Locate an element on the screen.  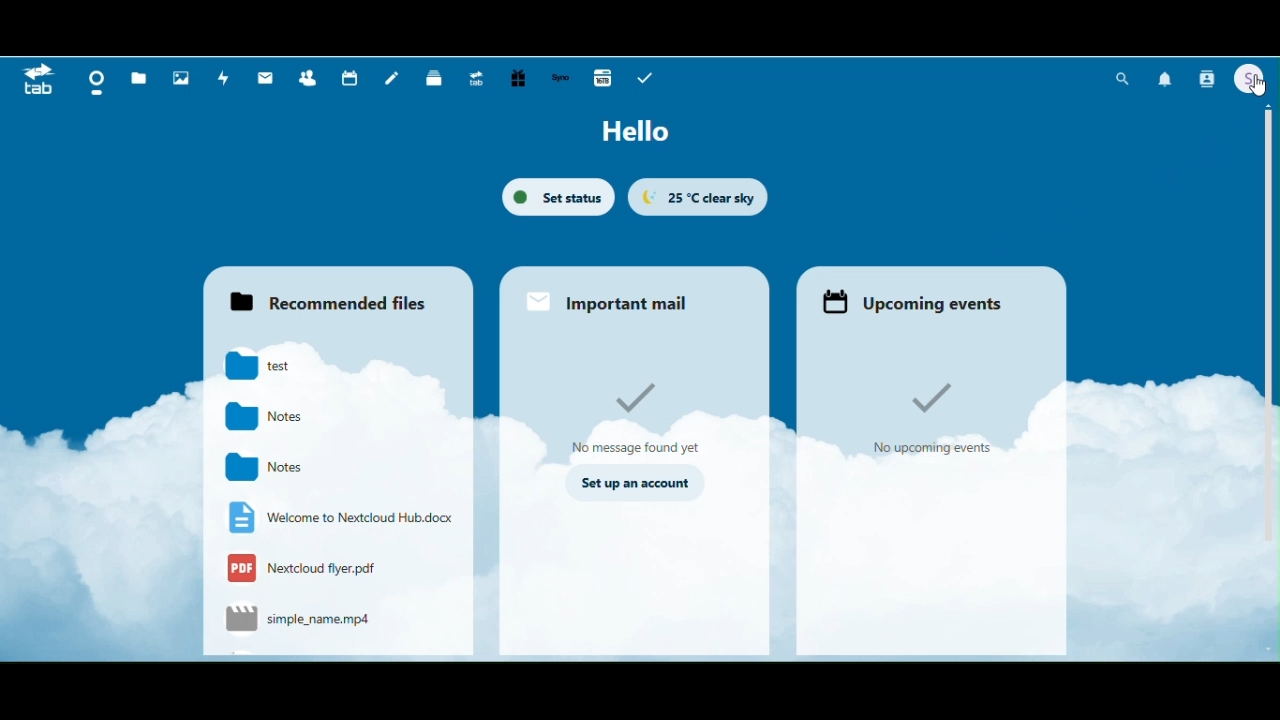
Dashboard is located at coordinates (93, 80).